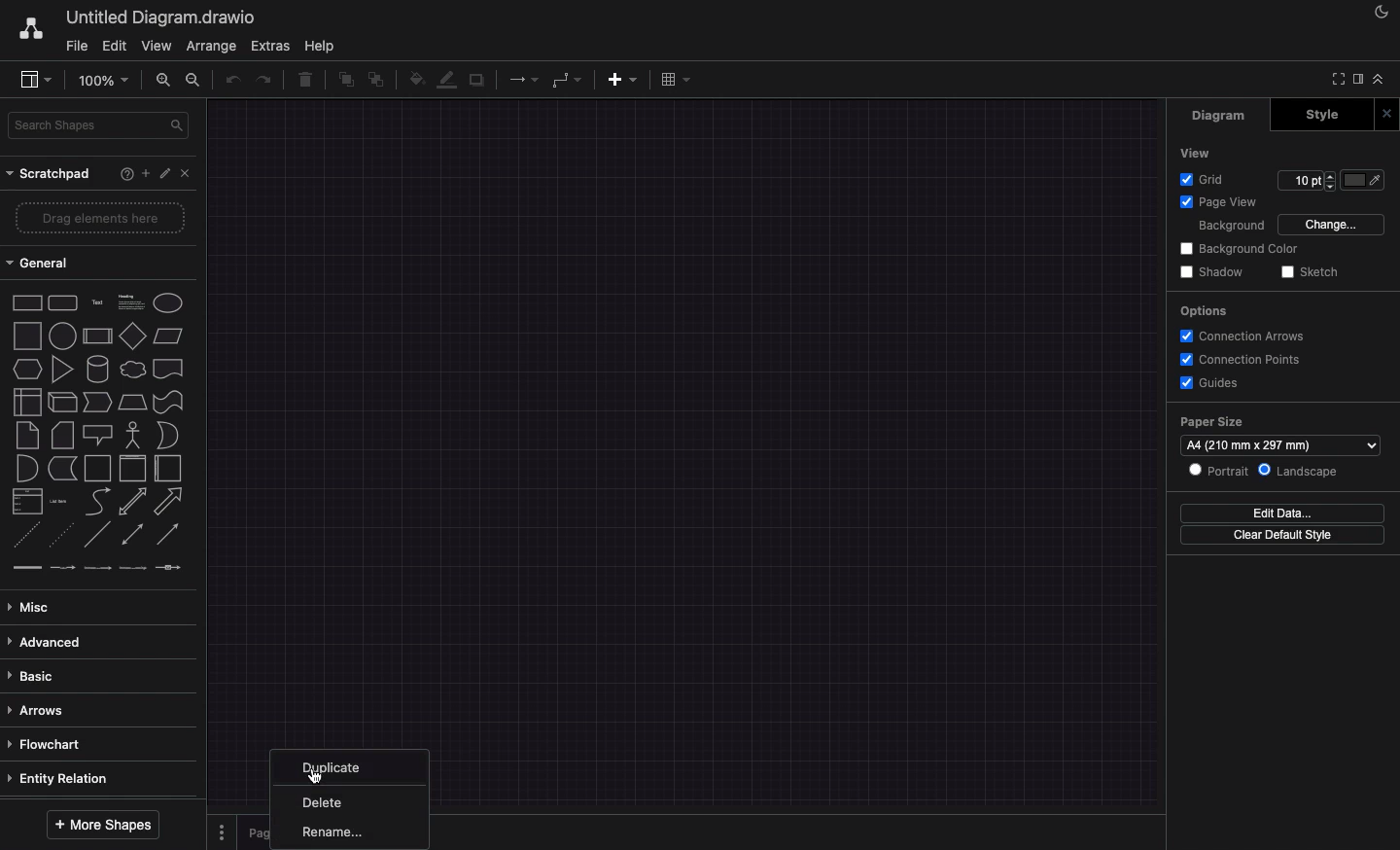 This screenshot has height=850, width=1400. I want to click on process, so click(98, 337).